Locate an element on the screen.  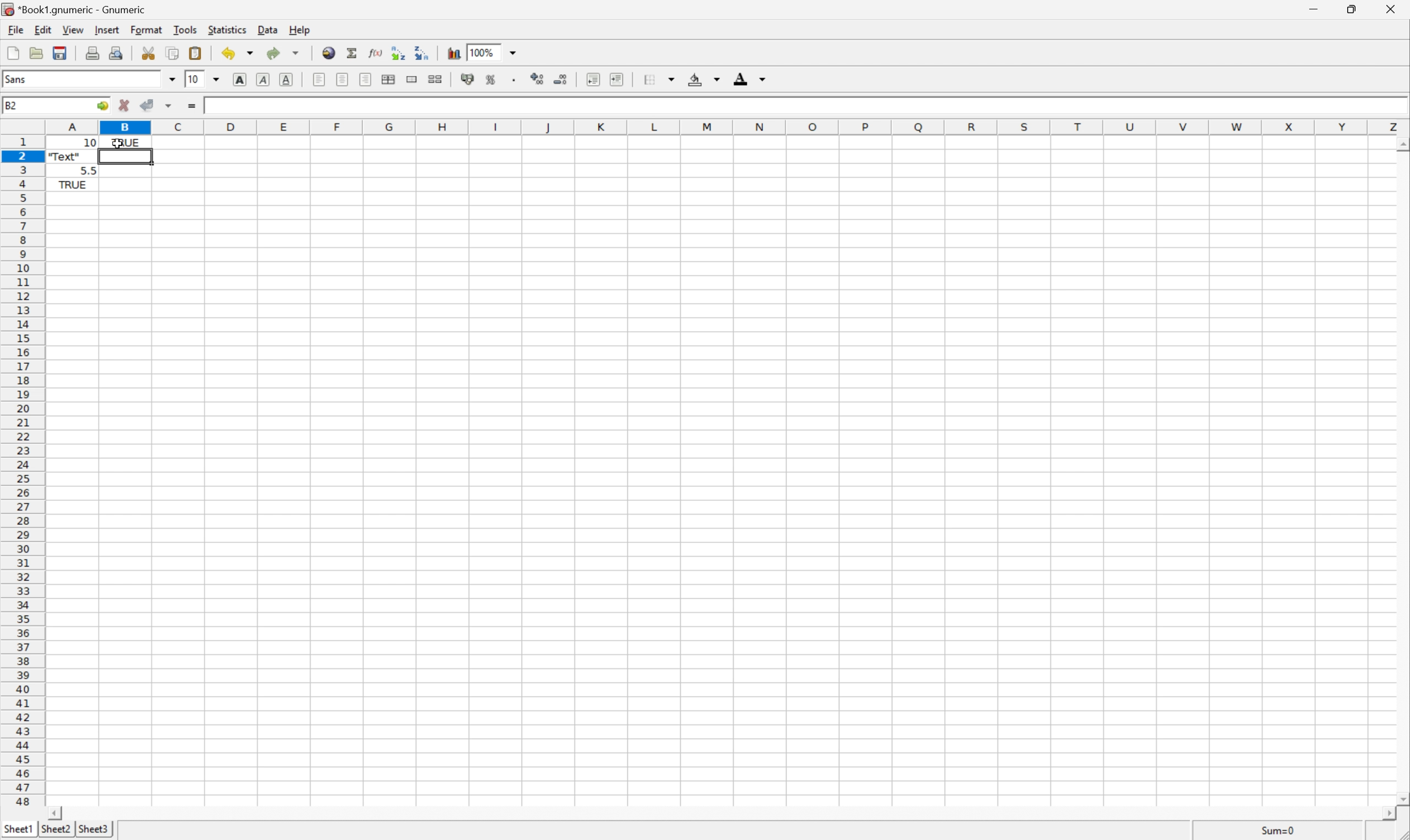
Copy clipboard is located at coordinates (173, 53).